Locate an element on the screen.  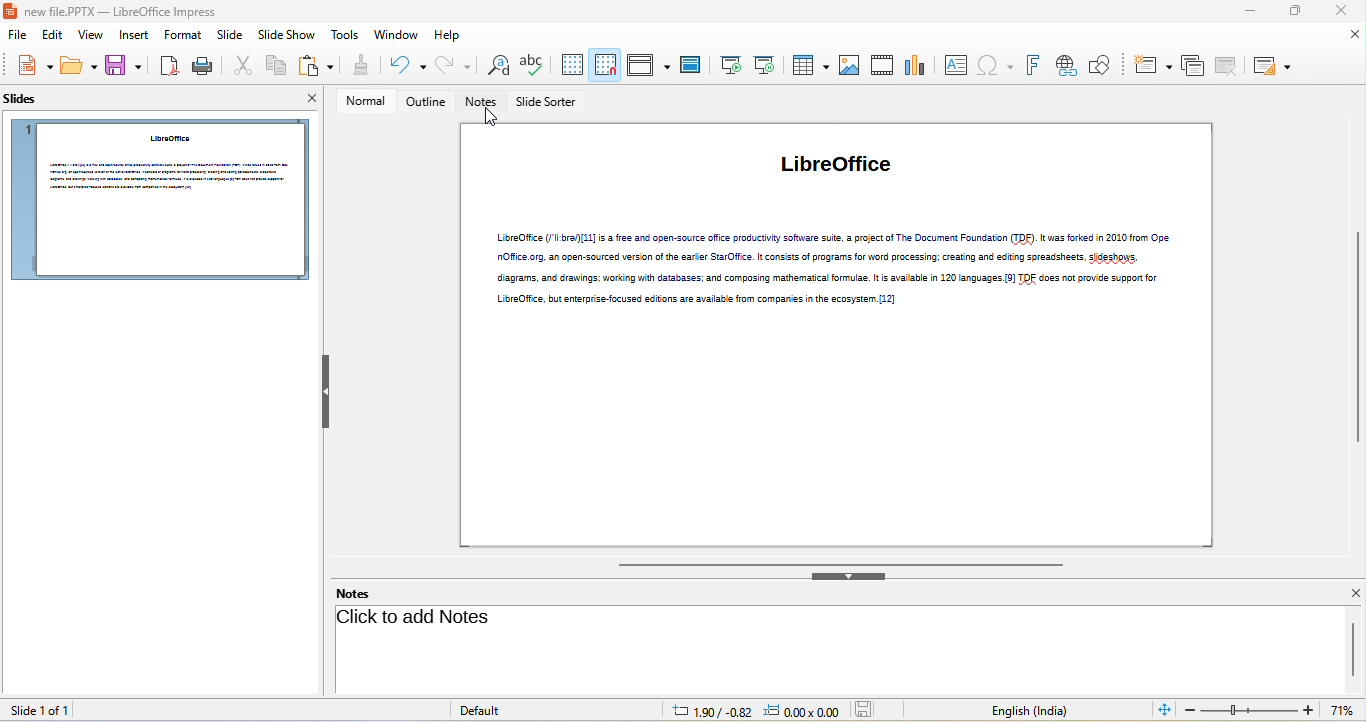
click to add notes is located at coordinates (421, 618).